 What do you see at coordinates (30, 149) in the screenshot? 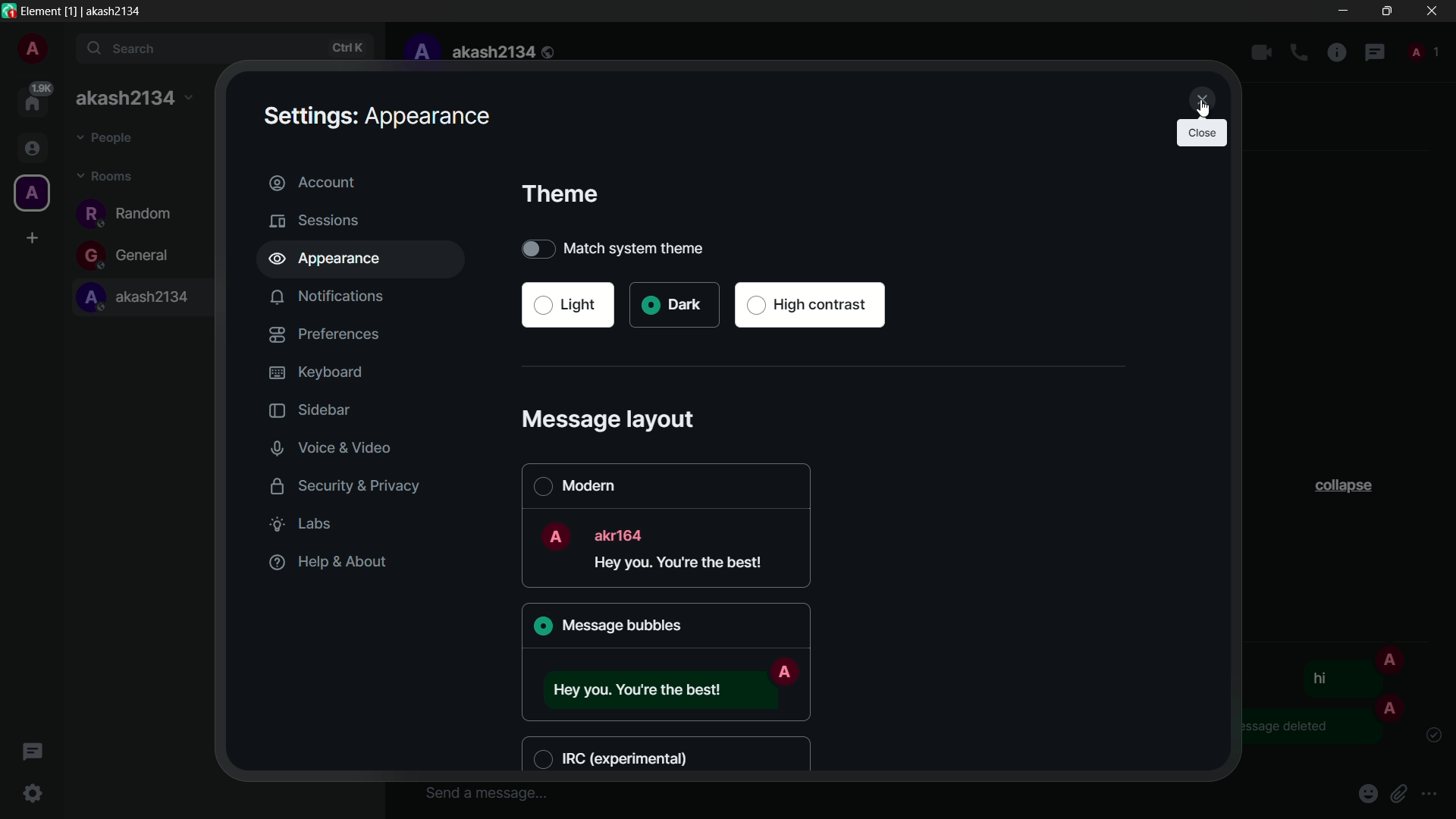
I see `people icon` at bounding box center [30, 149].